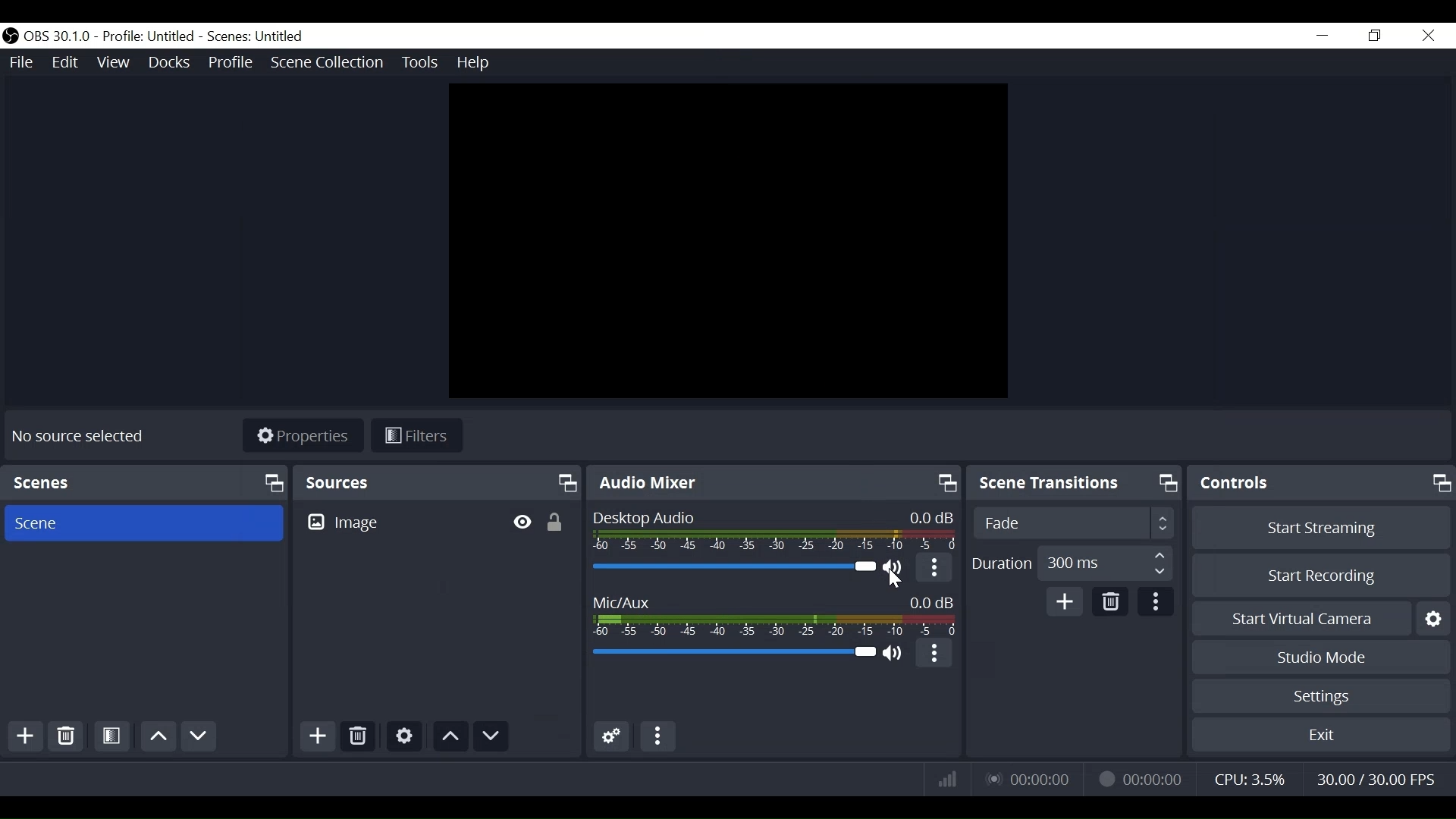 This screenshot has height=819, width=1456. I want to click on Move Up, so click(451, 735).